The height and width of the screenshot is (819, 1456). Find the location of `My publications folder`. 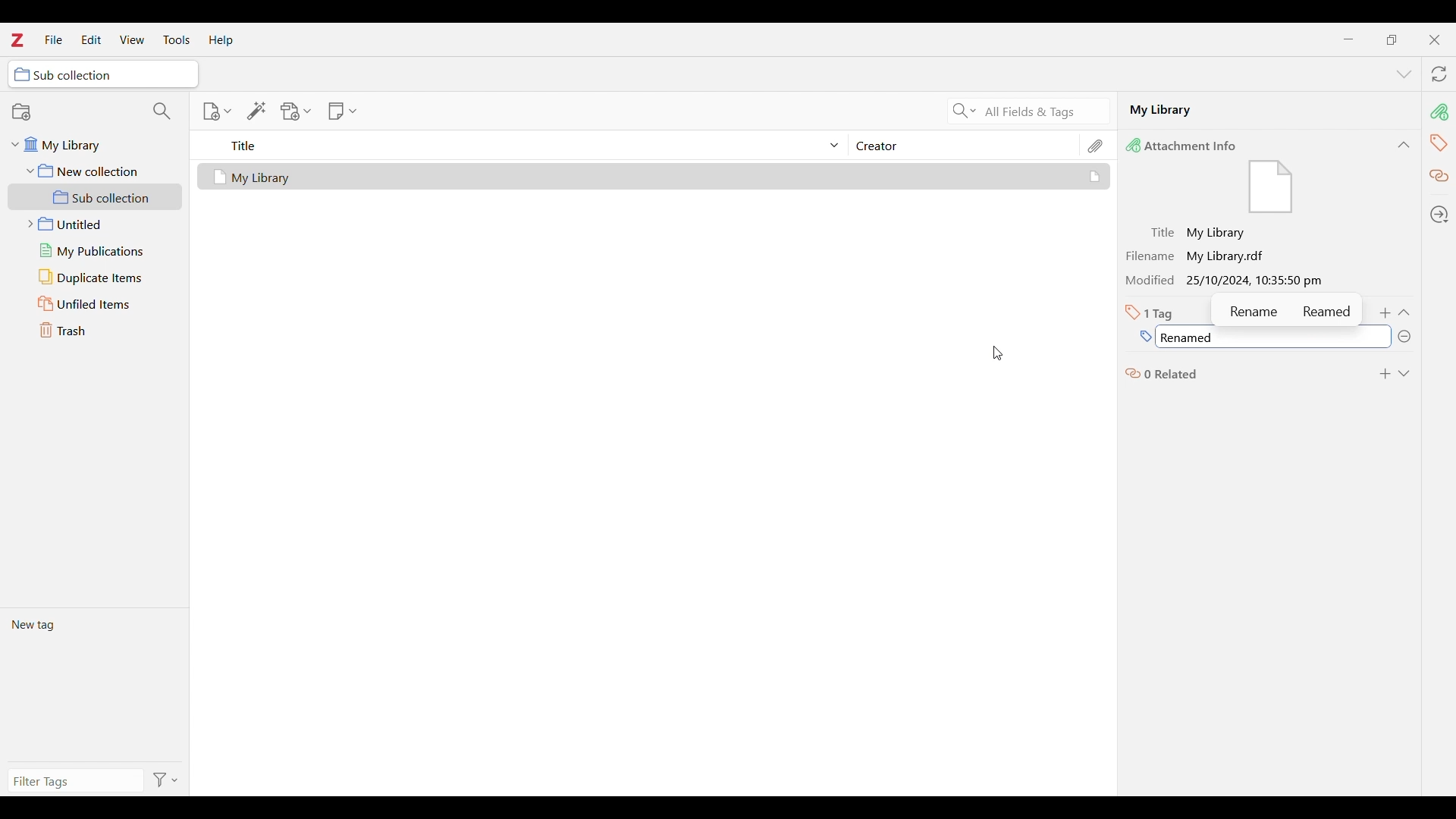

My publications folder is located at coordinates (94, 250).